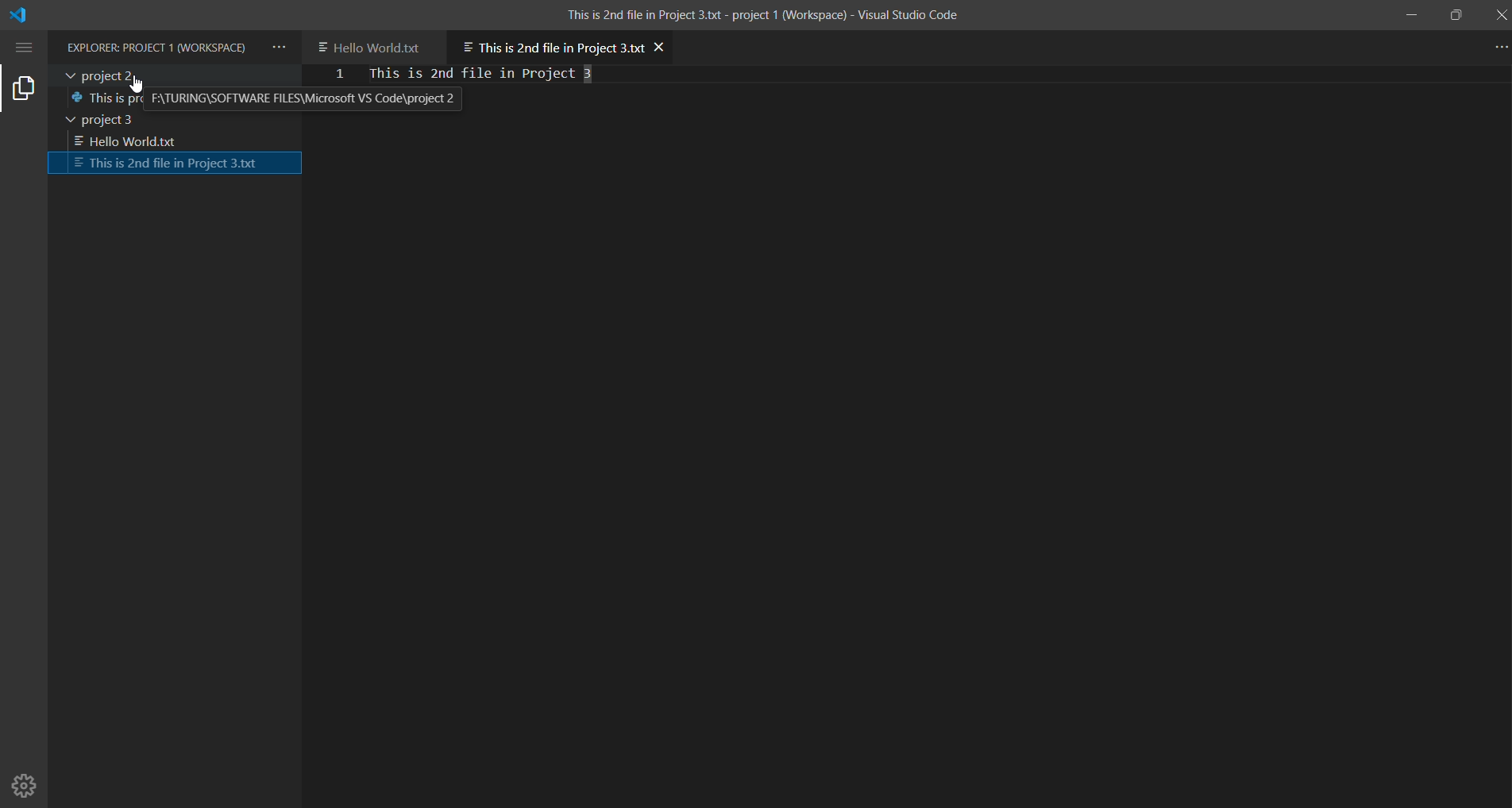 This screenshot has width=1512, height=808. I want to click on another file in project, so click(376, 45).